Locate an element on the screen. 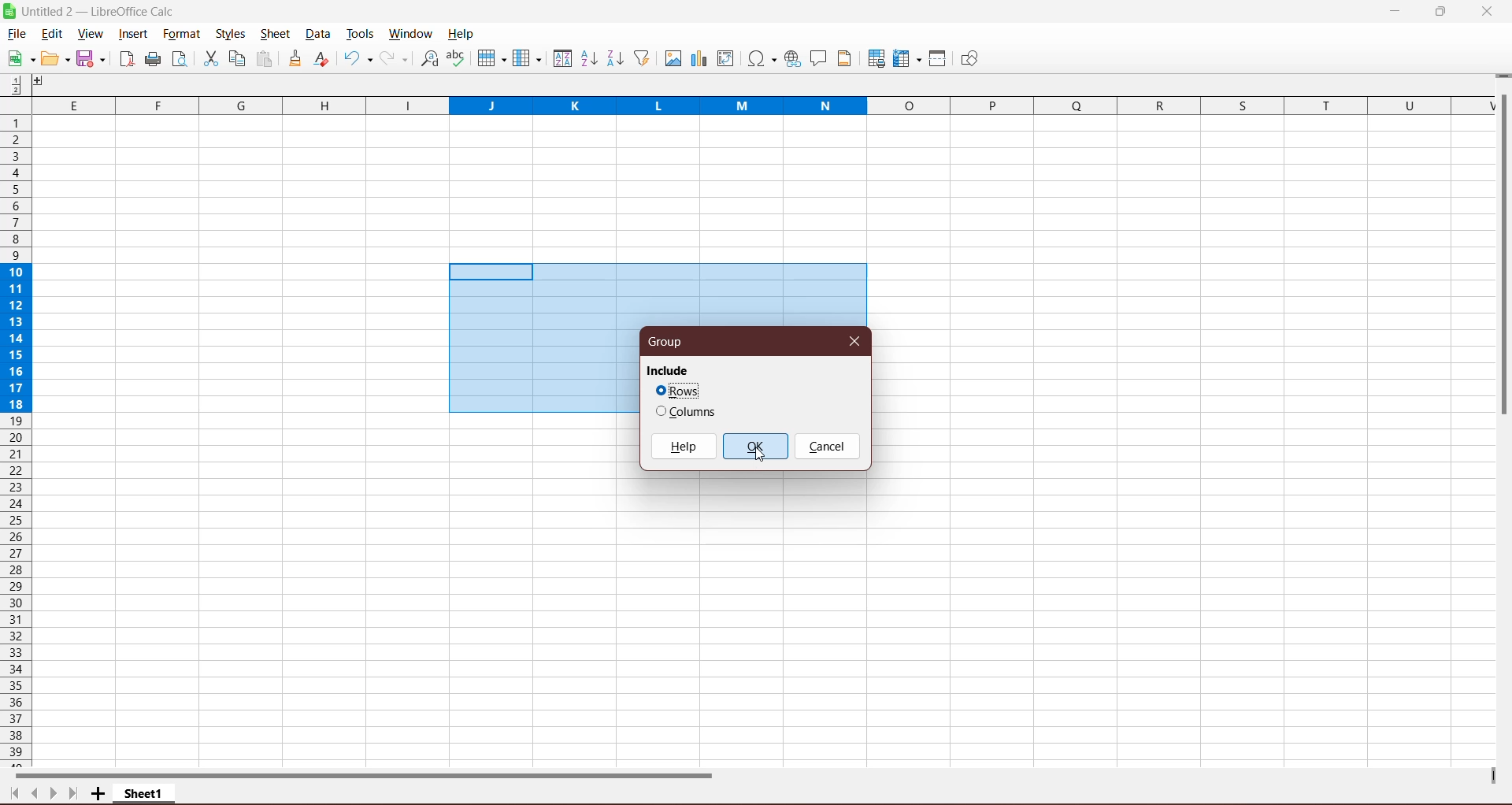 This screenshot has height=805, width=1512. Insert Comment is located at coordinates (819, 59).